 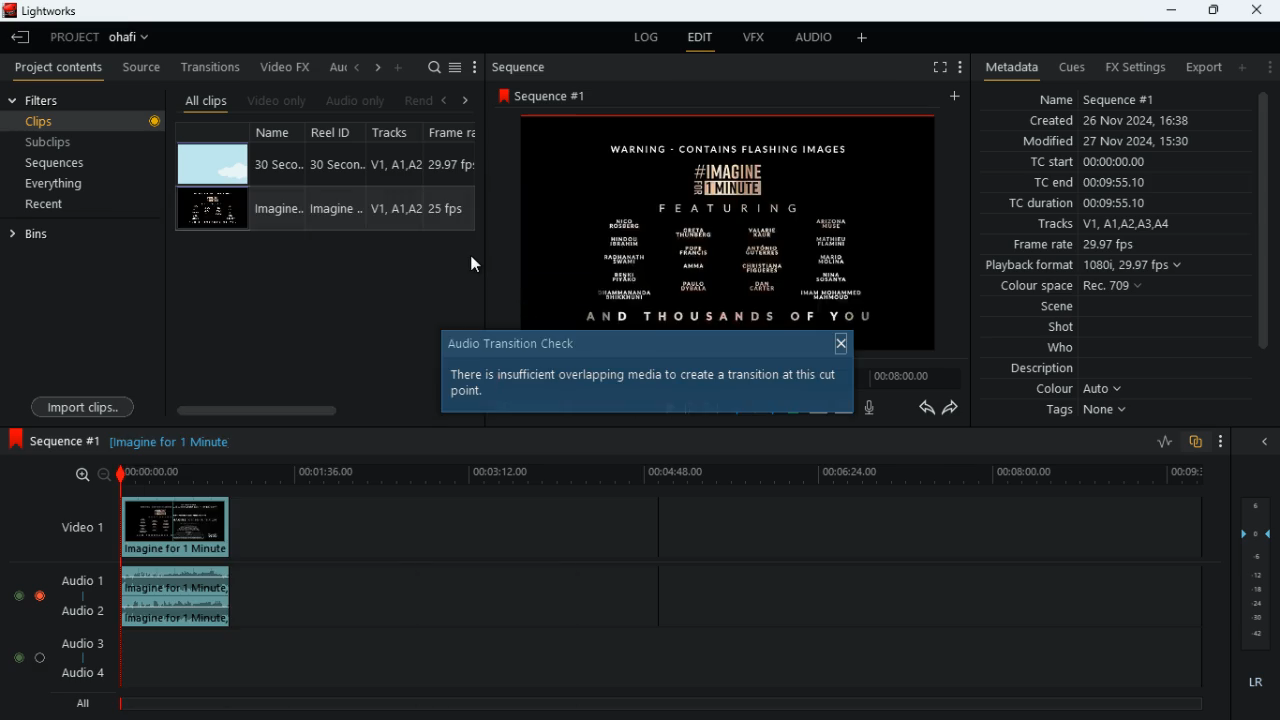 I want to click on image, so click(x=213, y=165).